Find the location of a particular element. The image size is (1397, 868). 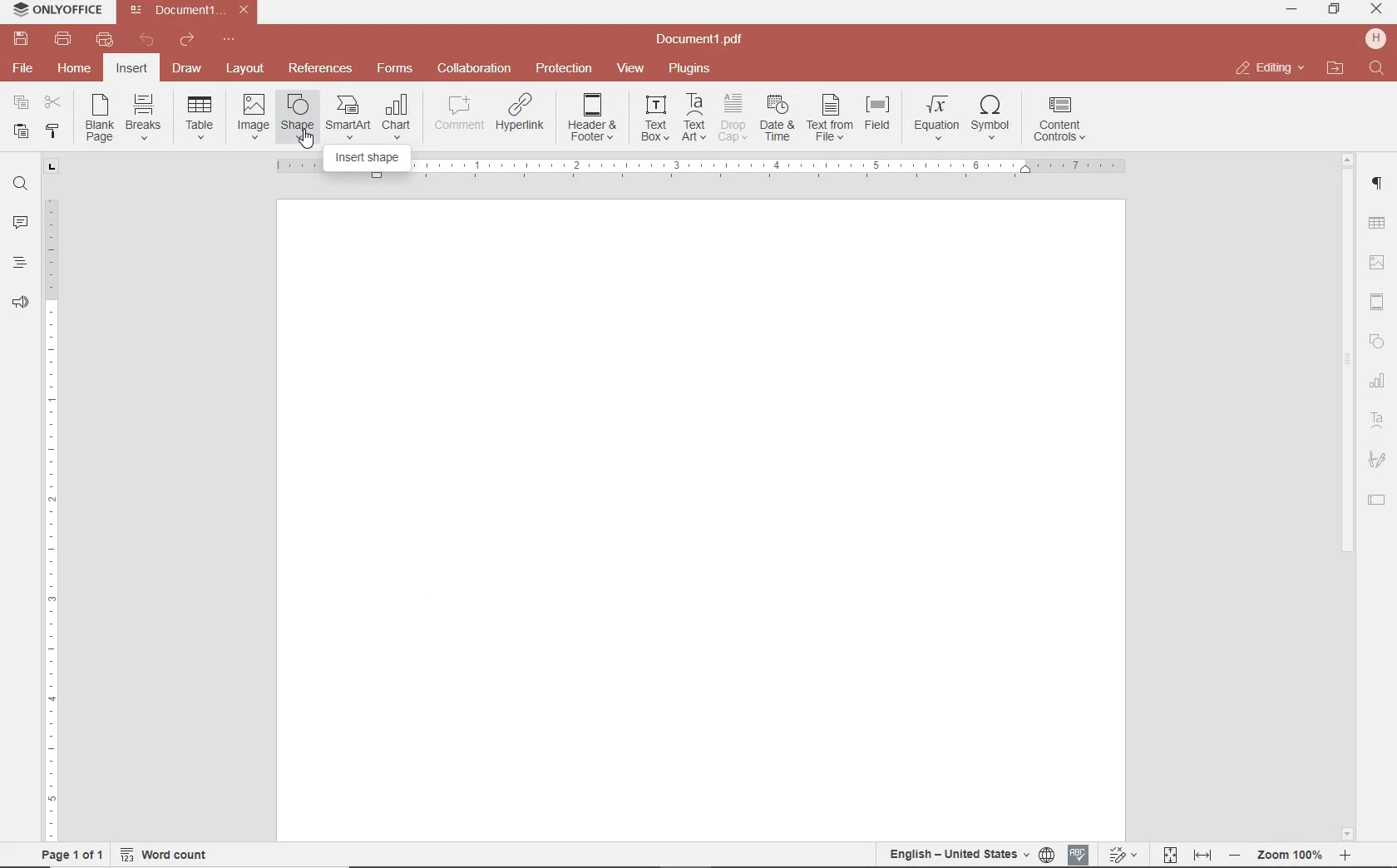

copy style is located at coordinates (51, 130).